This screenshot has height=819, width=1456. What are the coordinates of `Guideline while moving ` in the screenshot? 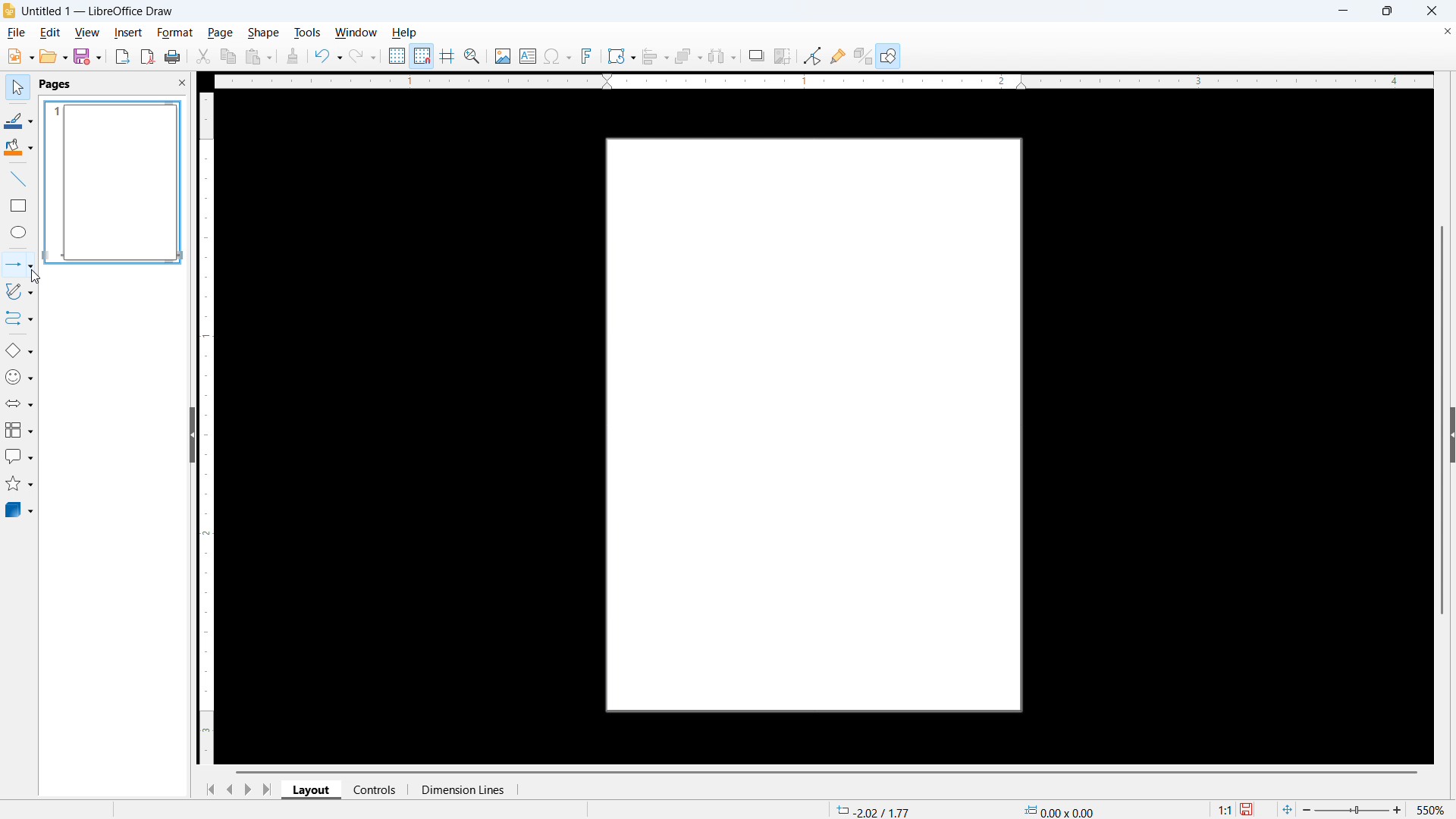 It's located at (447, 55).